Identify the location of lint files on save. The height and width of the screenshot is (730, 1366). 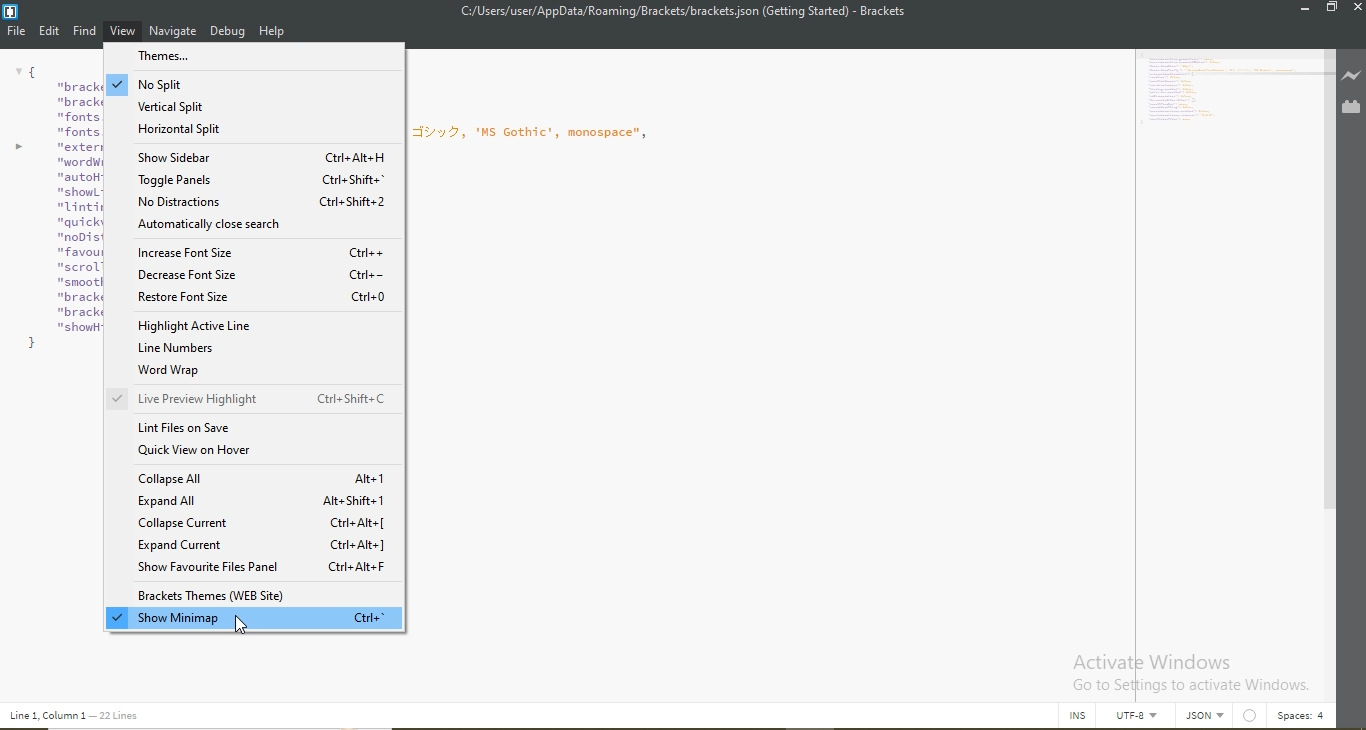
(260, 429).